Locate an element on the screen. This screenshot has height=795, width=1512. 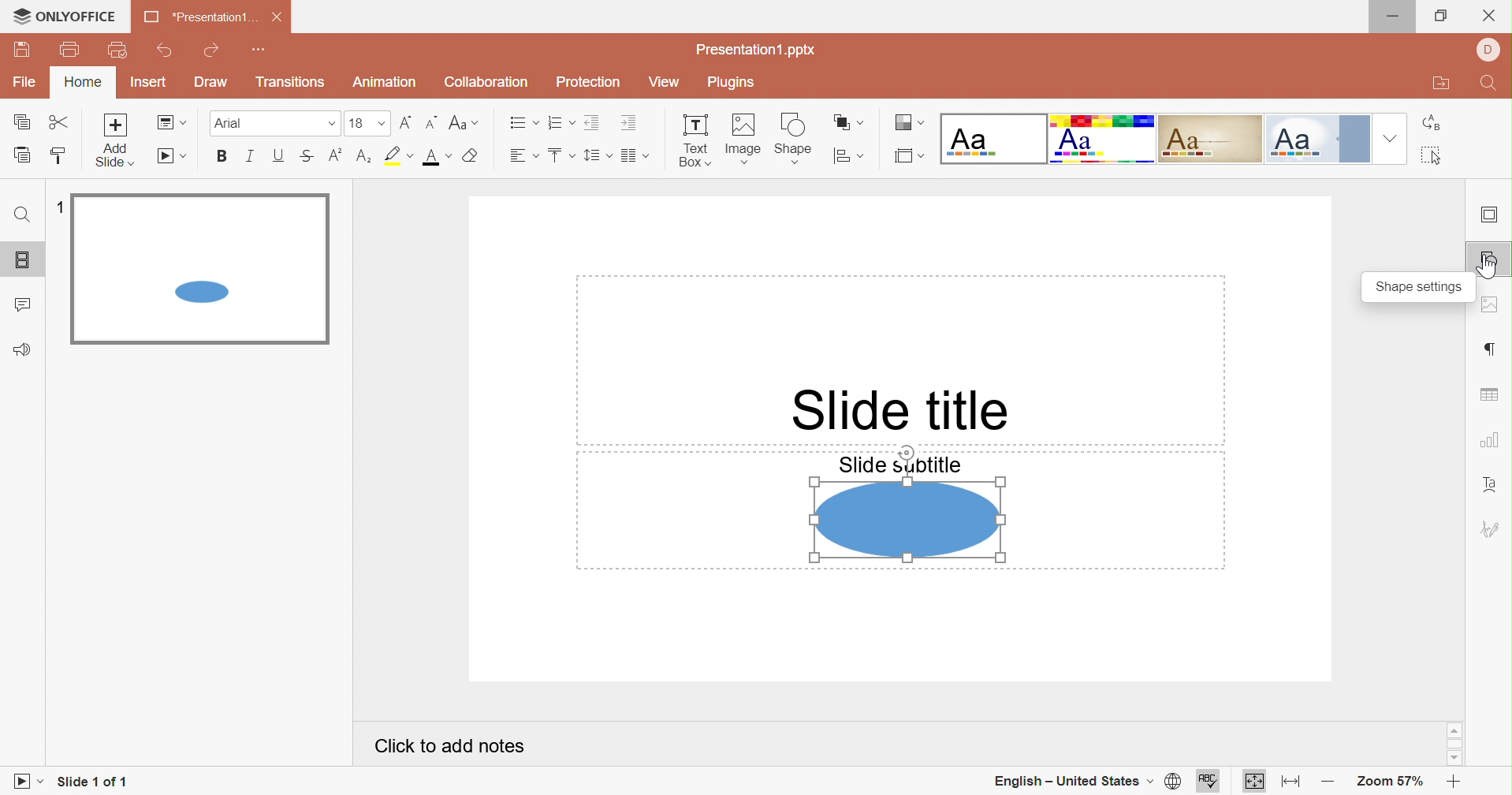
Font type Arial is located at coordinates (274, 122).